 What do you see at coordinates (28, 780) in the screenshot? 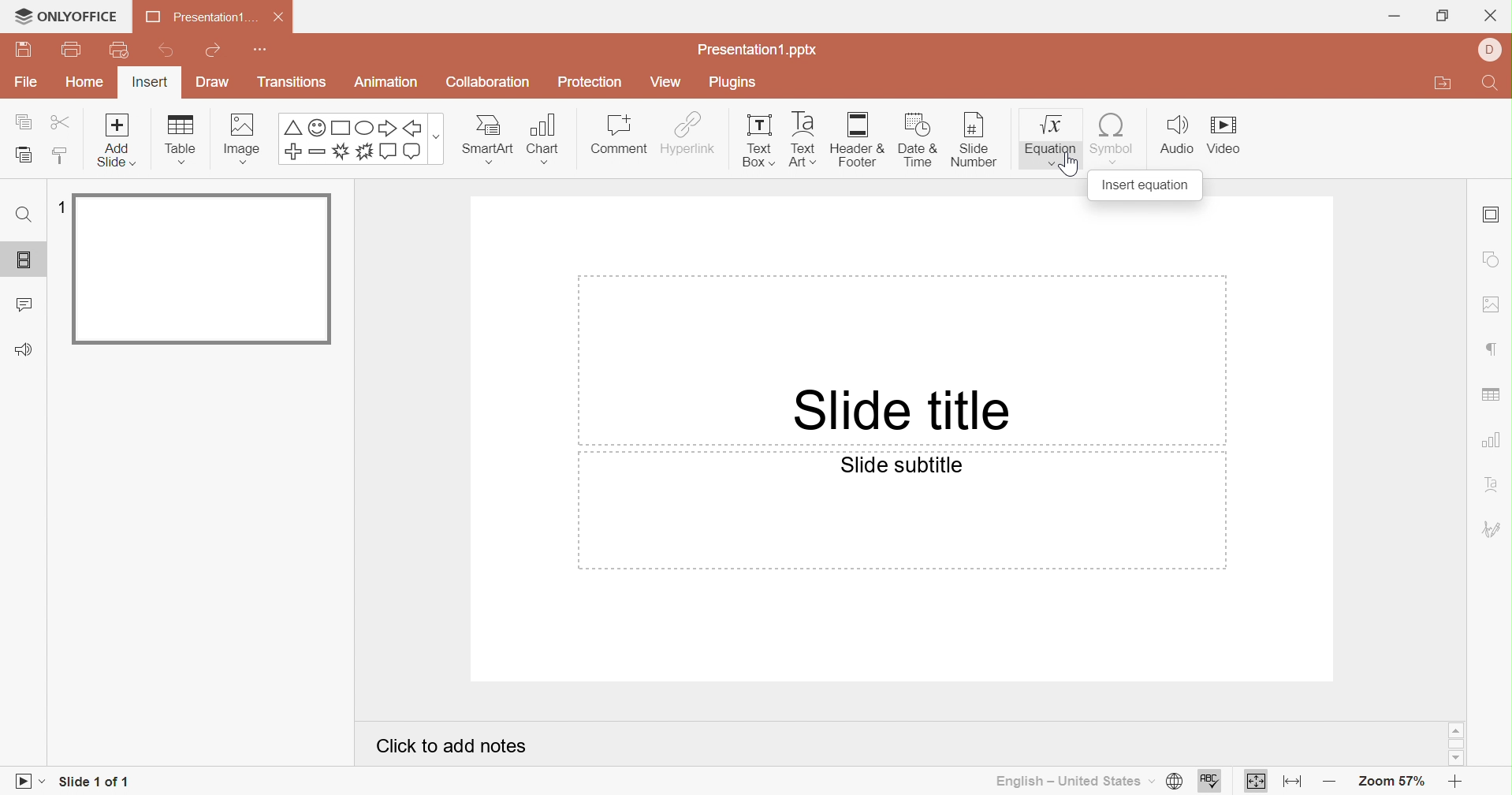
I see `Start slideshow` at bounding box center [28, 780].